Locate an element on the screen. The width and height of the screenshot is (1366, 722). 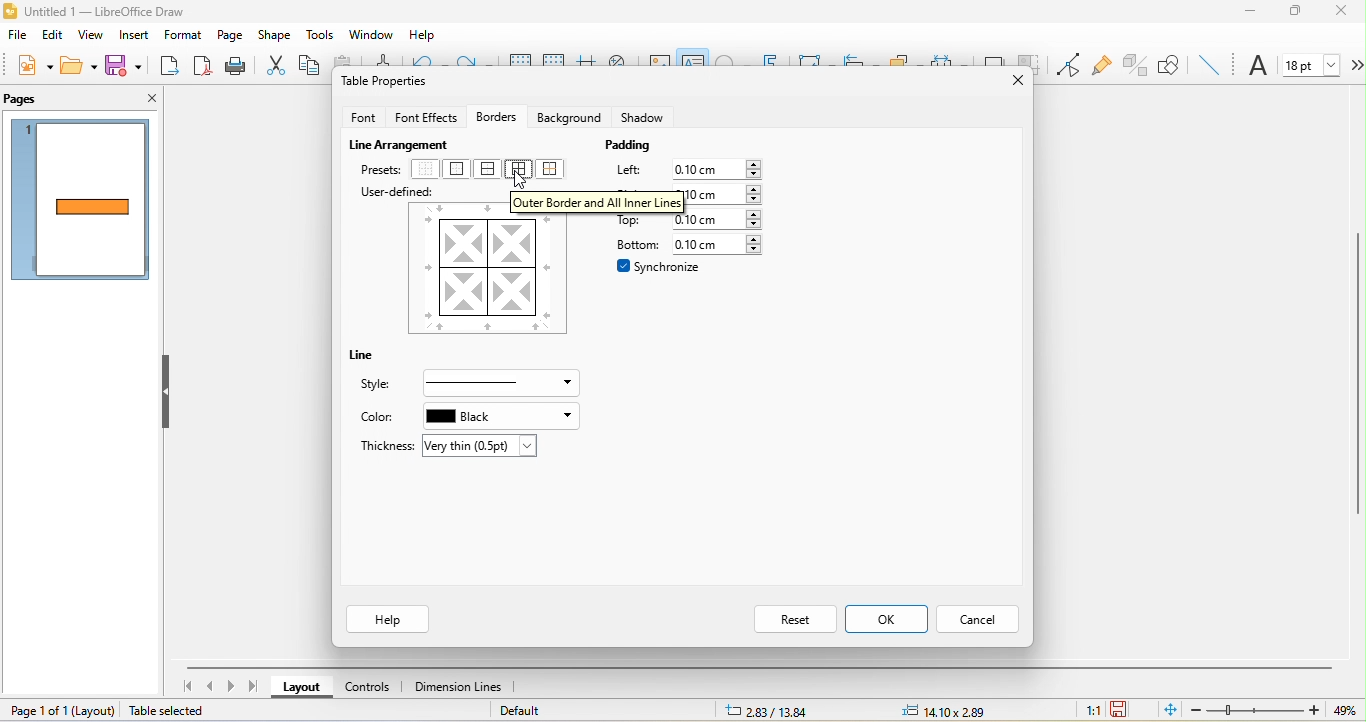
font size is located at coordinates (1312, 64).